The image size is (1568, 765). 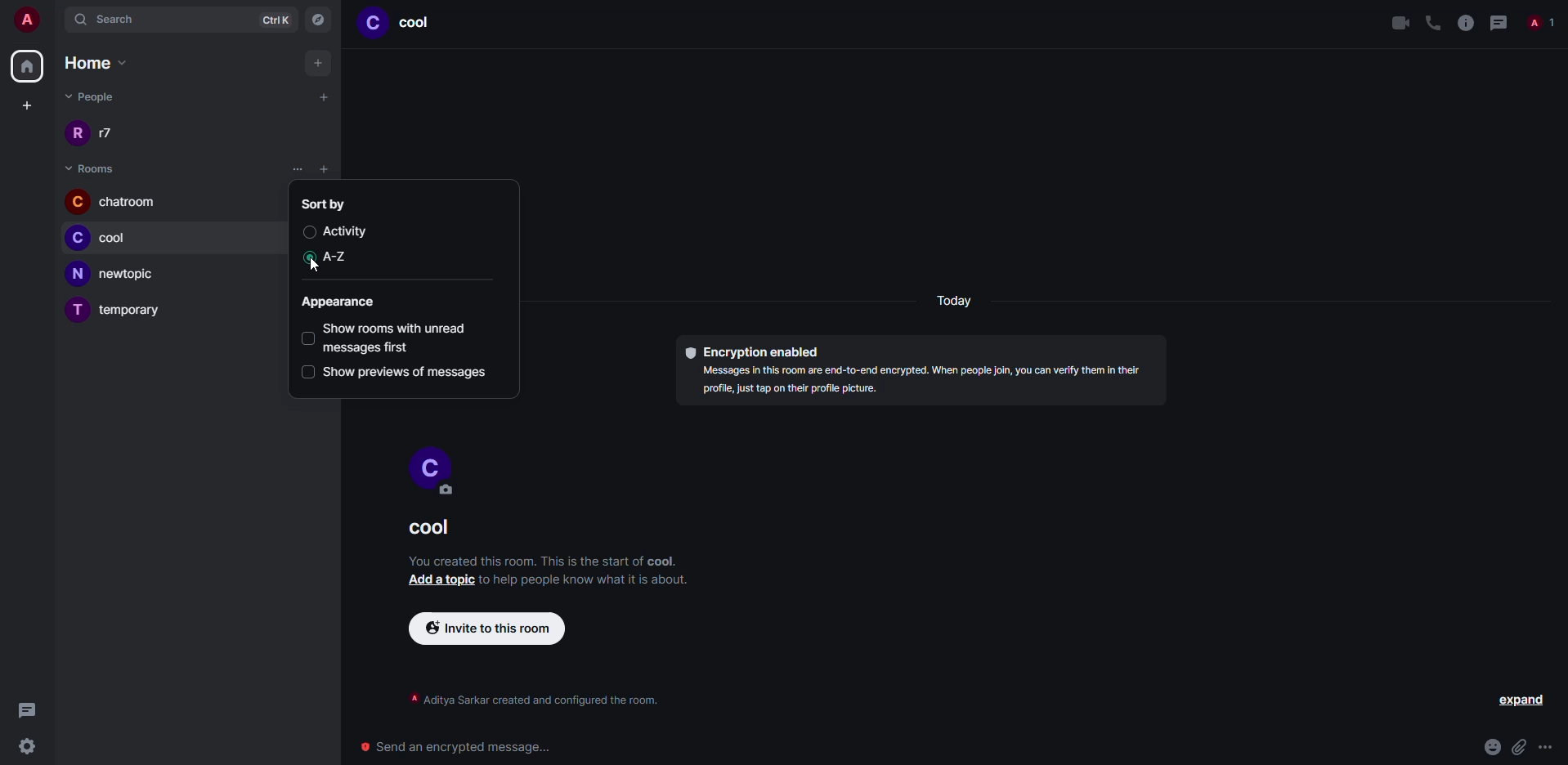 I want to click on cool, so click(x=114, y=235).